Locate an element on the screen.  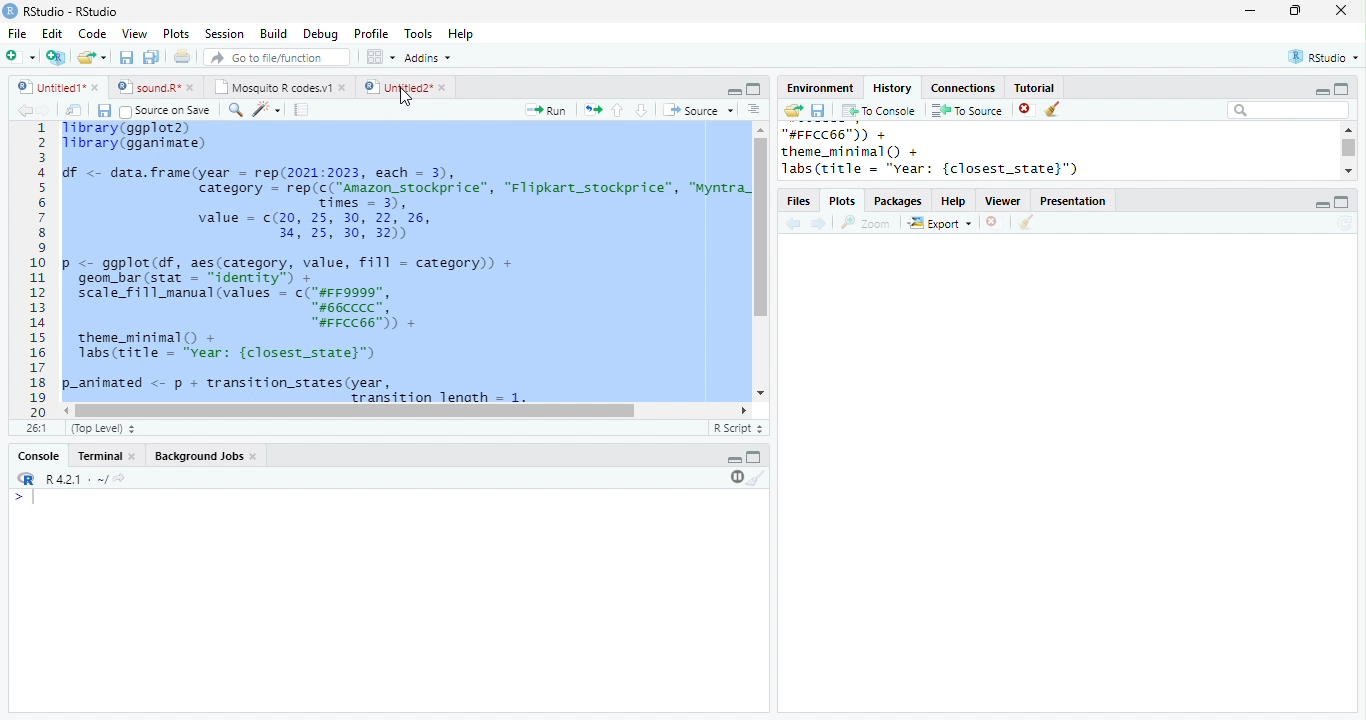
cursor is located at coordinates (404, 98).